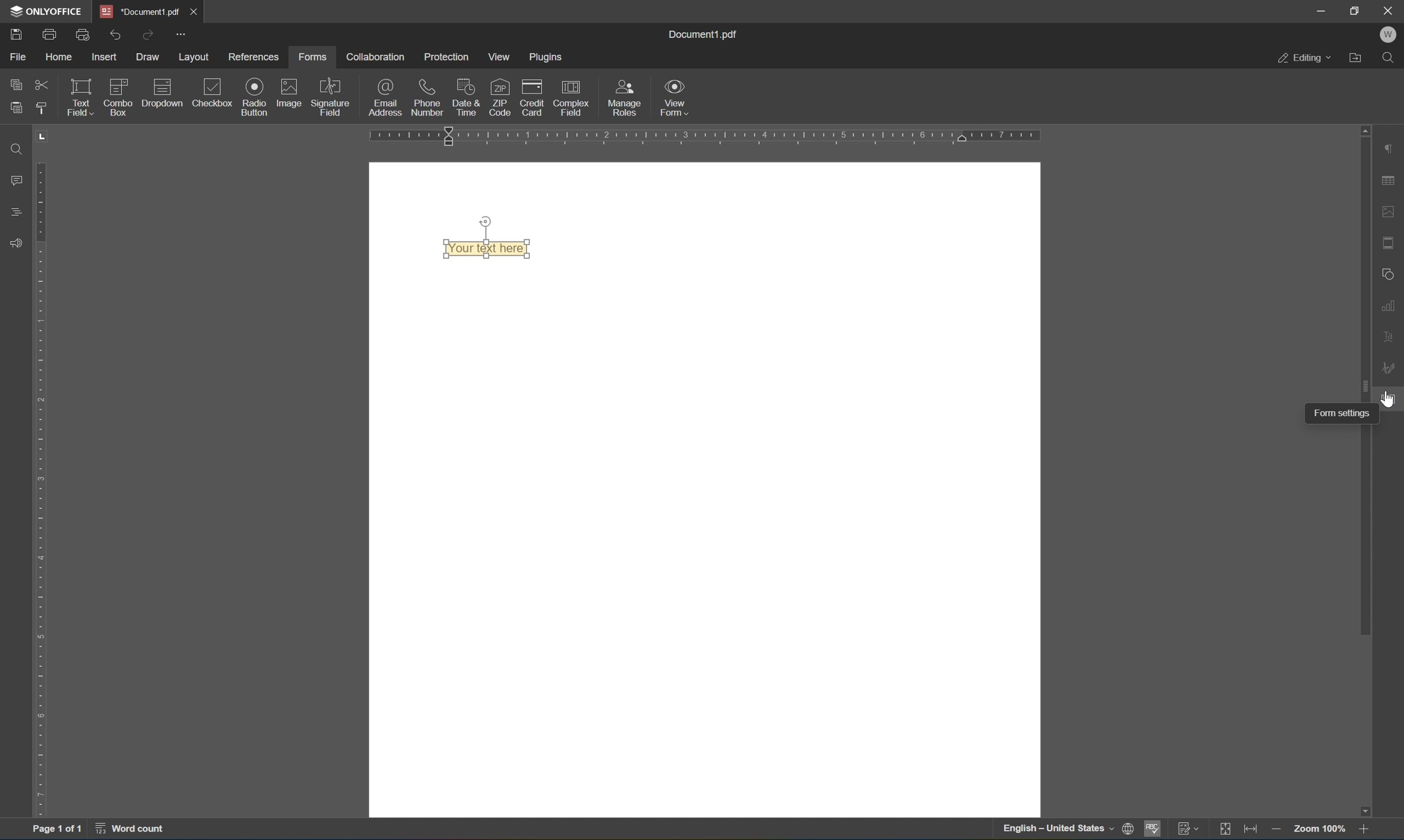  I want to click on open file location, so click(1359, 57).